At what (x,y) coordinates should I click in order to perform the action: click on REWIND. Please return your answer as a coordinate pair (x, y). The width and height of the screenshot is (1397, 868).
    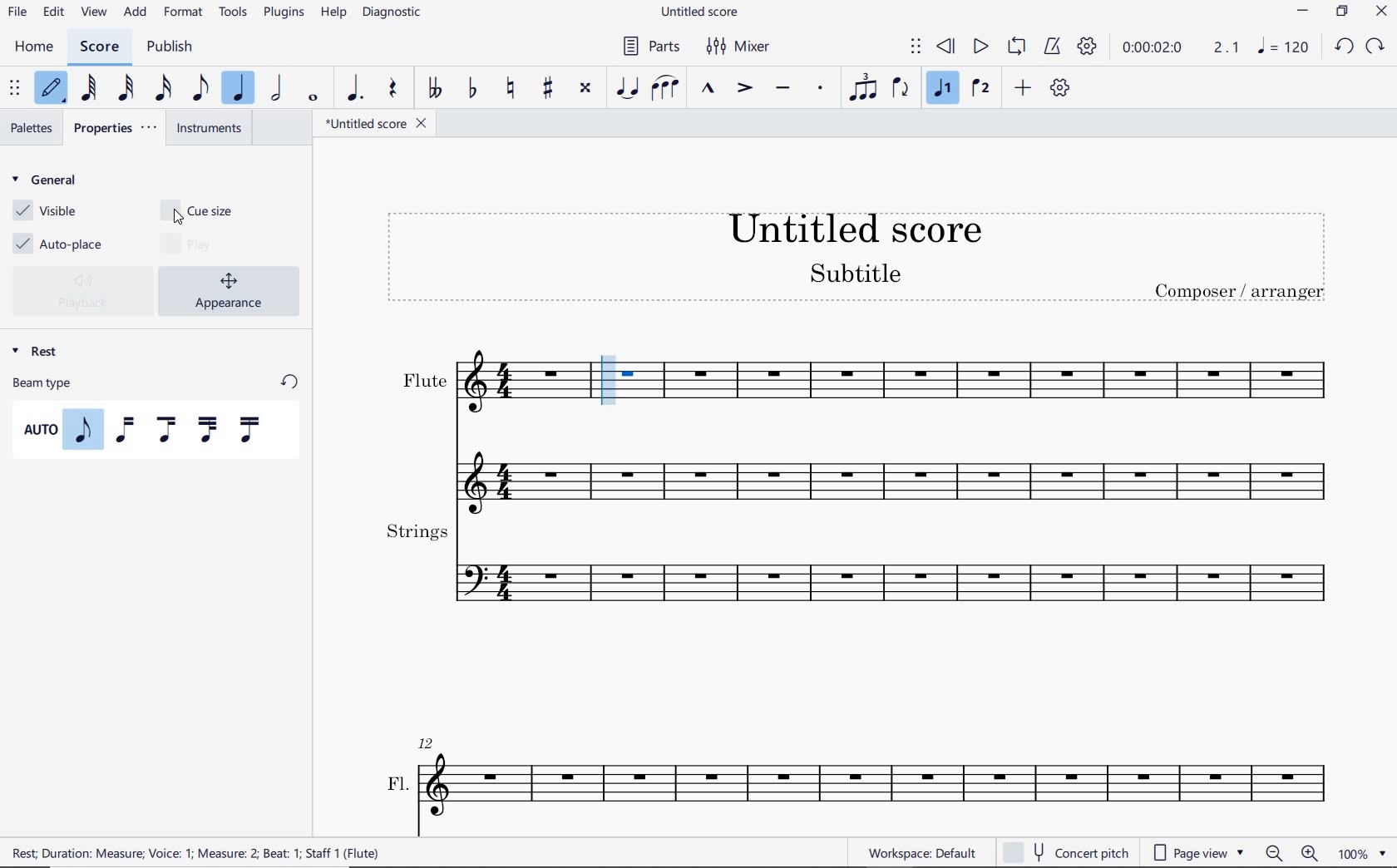
    Looking at the image, I should click on (946, 47).